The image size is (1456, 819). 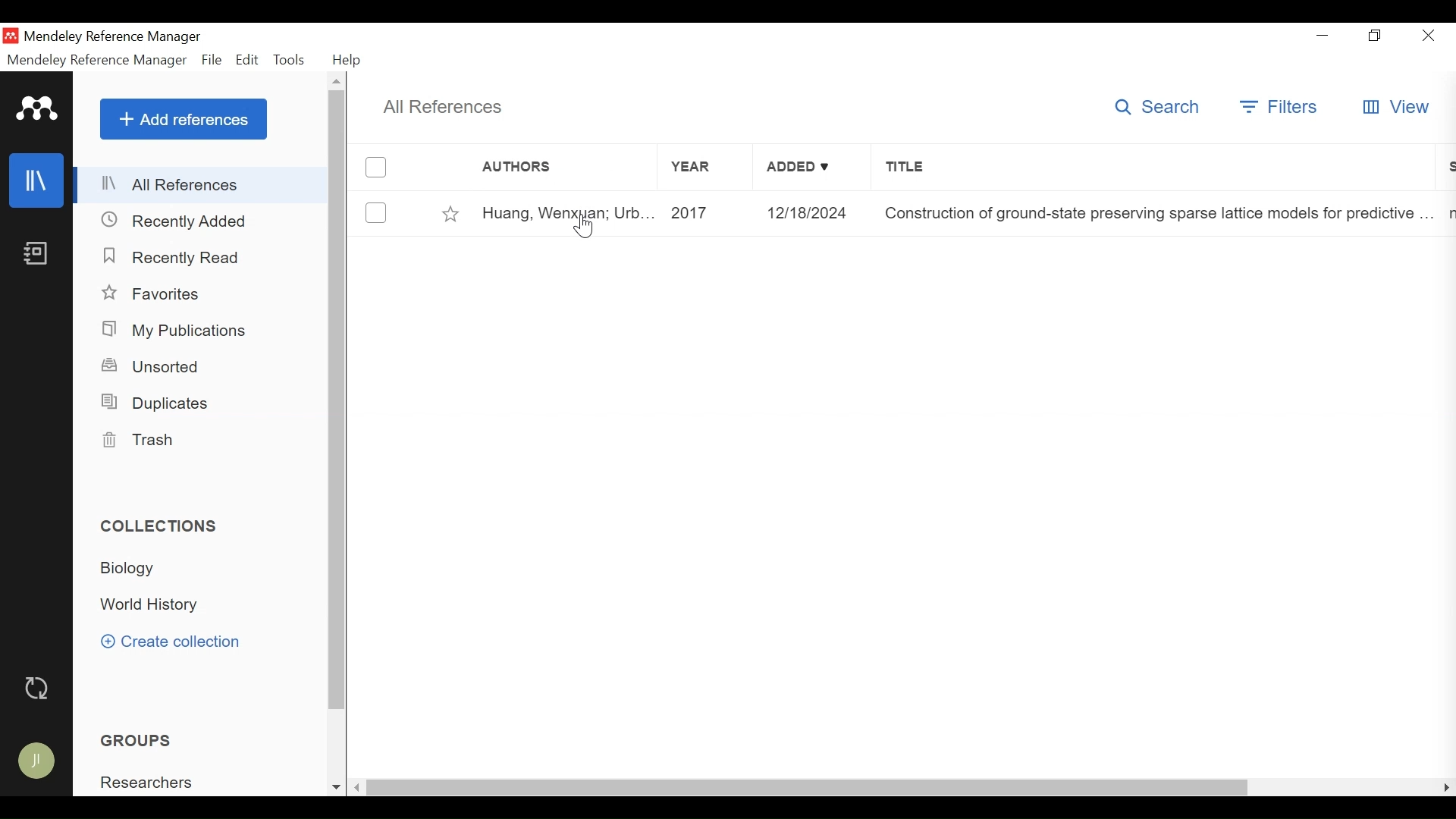 I want to click on Authors, so click(x=532, y=167).